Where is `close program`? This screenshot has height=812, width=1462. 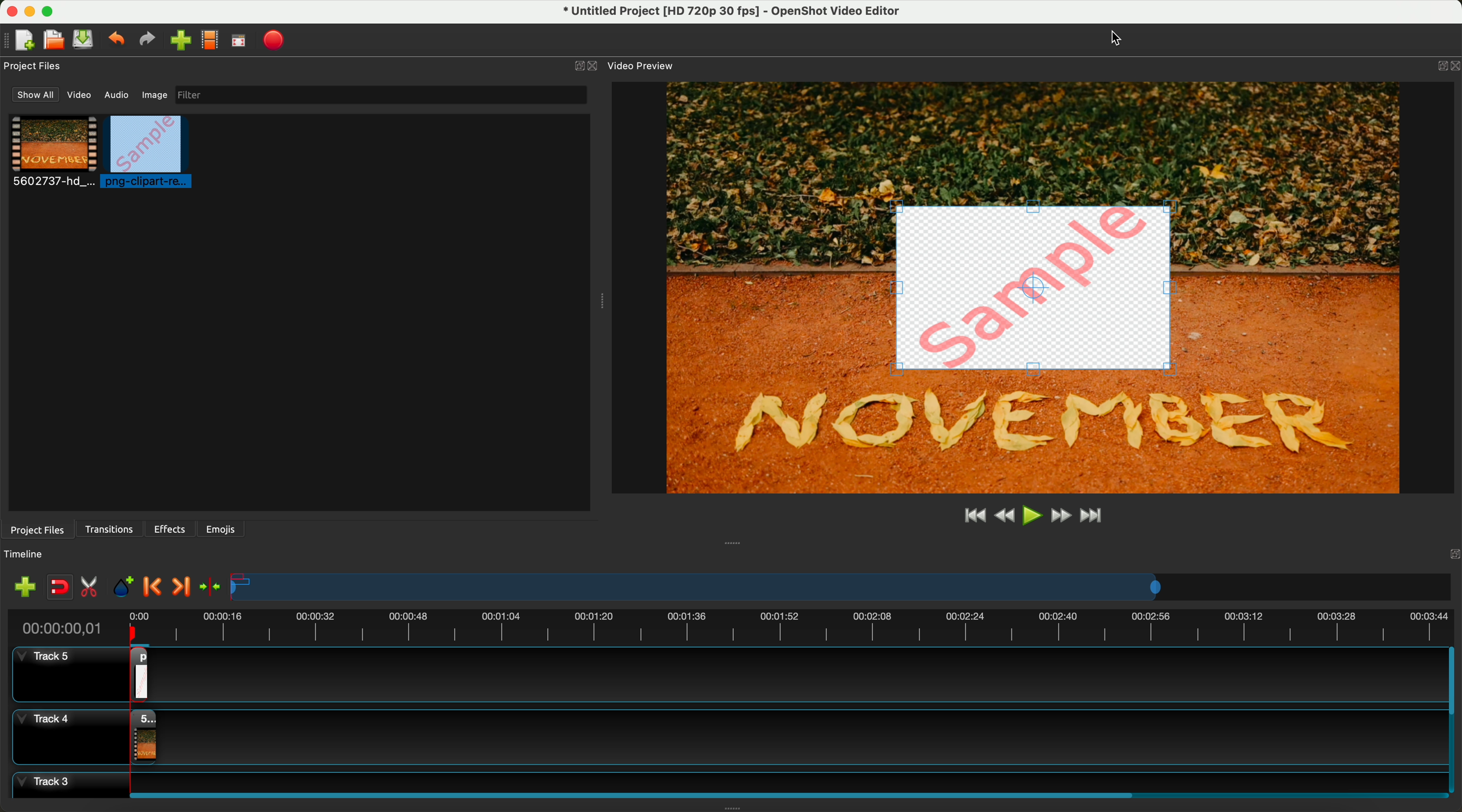
close program is located at coordinates (9, 10).